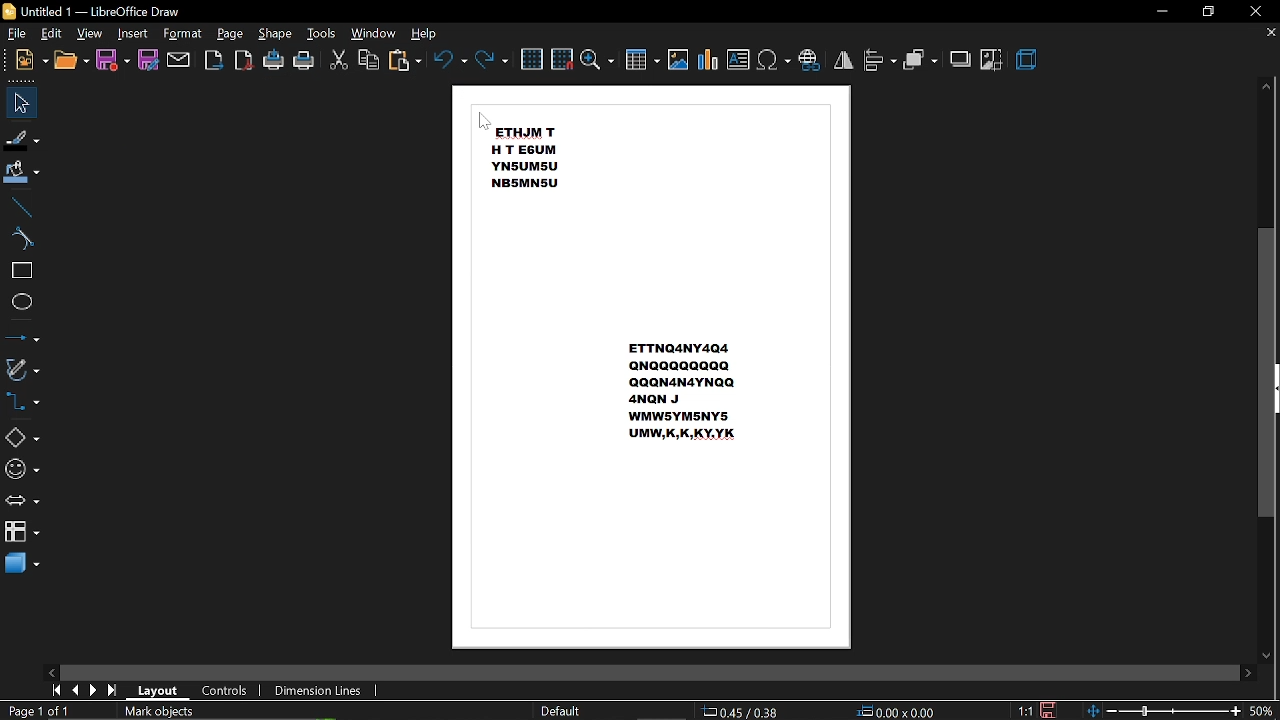 This screenshot has height=720, width=1280. I want to click on print, so click(305, 61).